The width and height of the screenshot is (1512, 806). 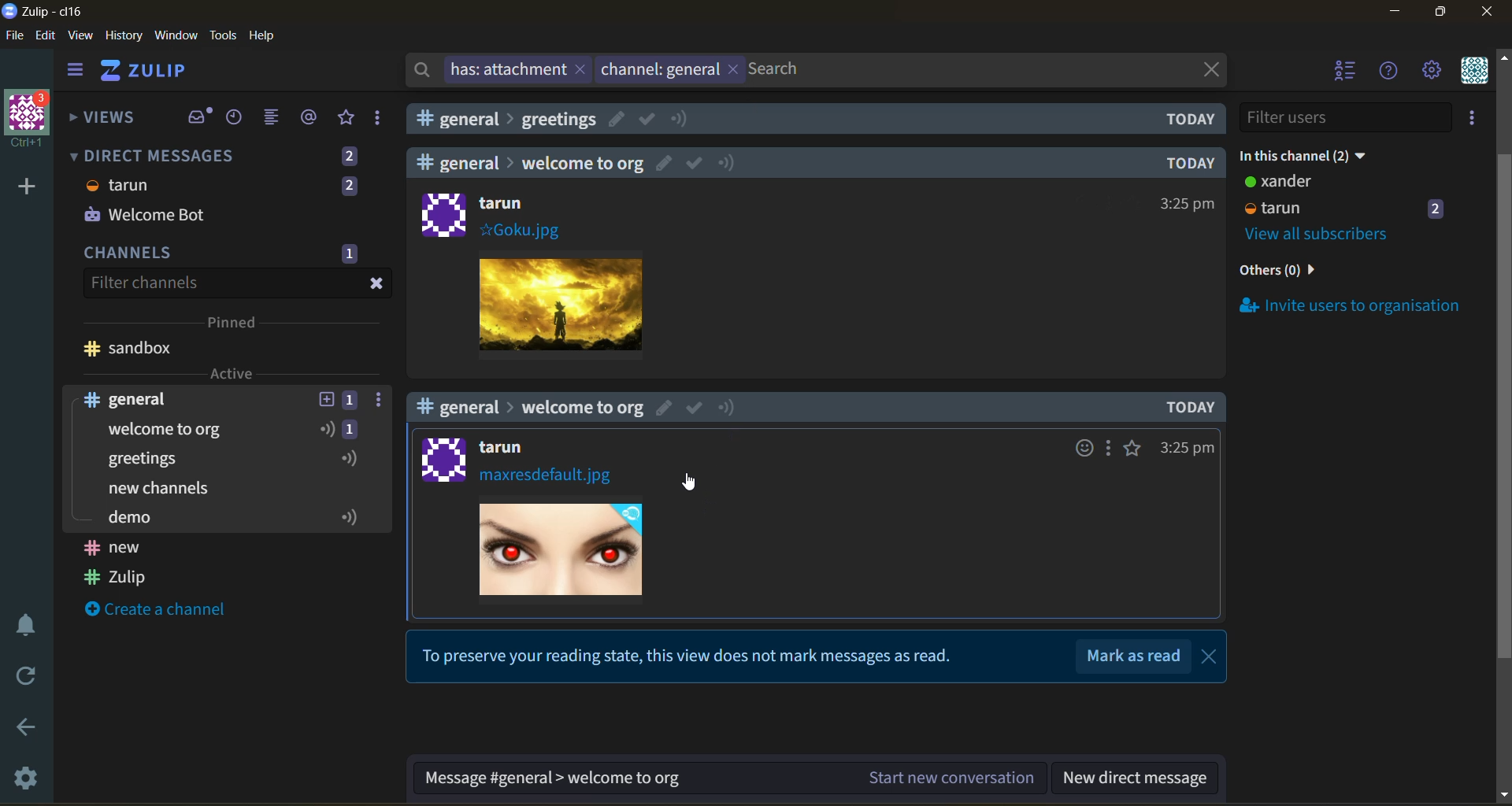 What do you see at coordinates (1134, 779) in the screenshot?
I see `new direct message` at bounding box center [1134, 779].